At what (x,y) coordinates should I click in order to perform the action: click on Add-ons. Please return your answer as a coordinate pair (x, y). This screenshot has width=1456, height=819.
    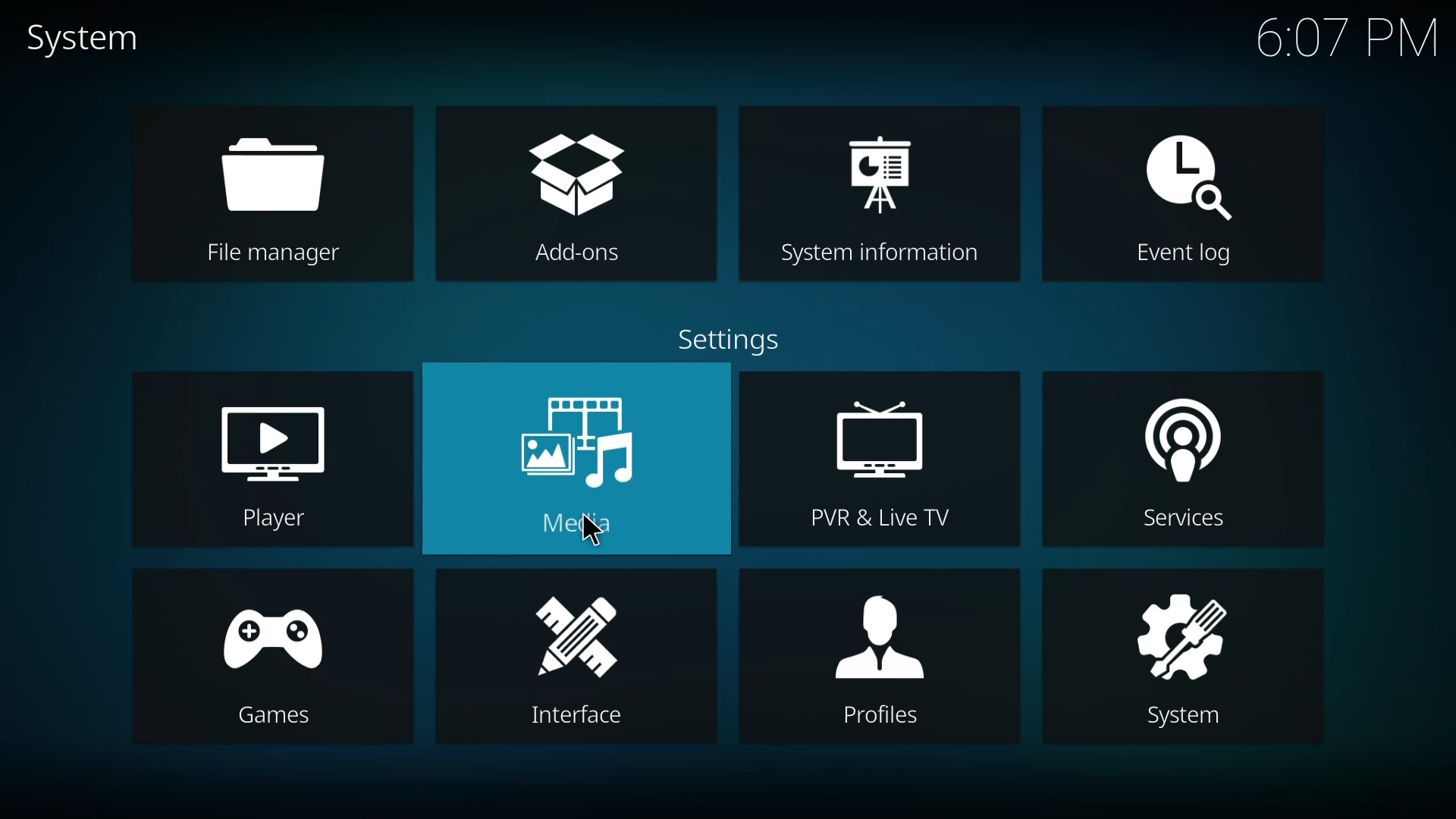
    Looking at the image, I should click on (583, 256).